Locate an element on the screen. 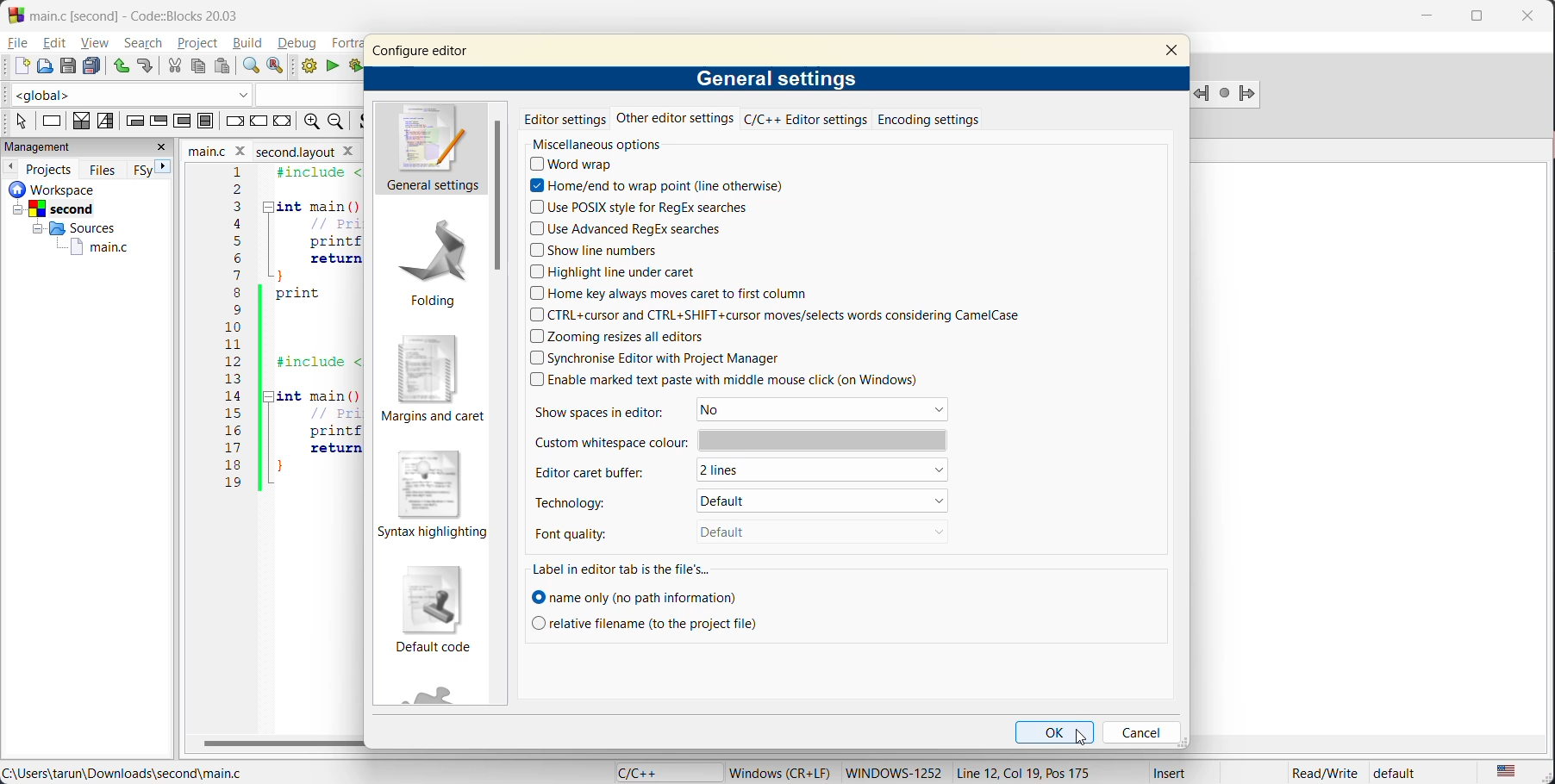 This screenshot has height=784, width=1555. syntax highlighting is located at coordinates (429, 492).